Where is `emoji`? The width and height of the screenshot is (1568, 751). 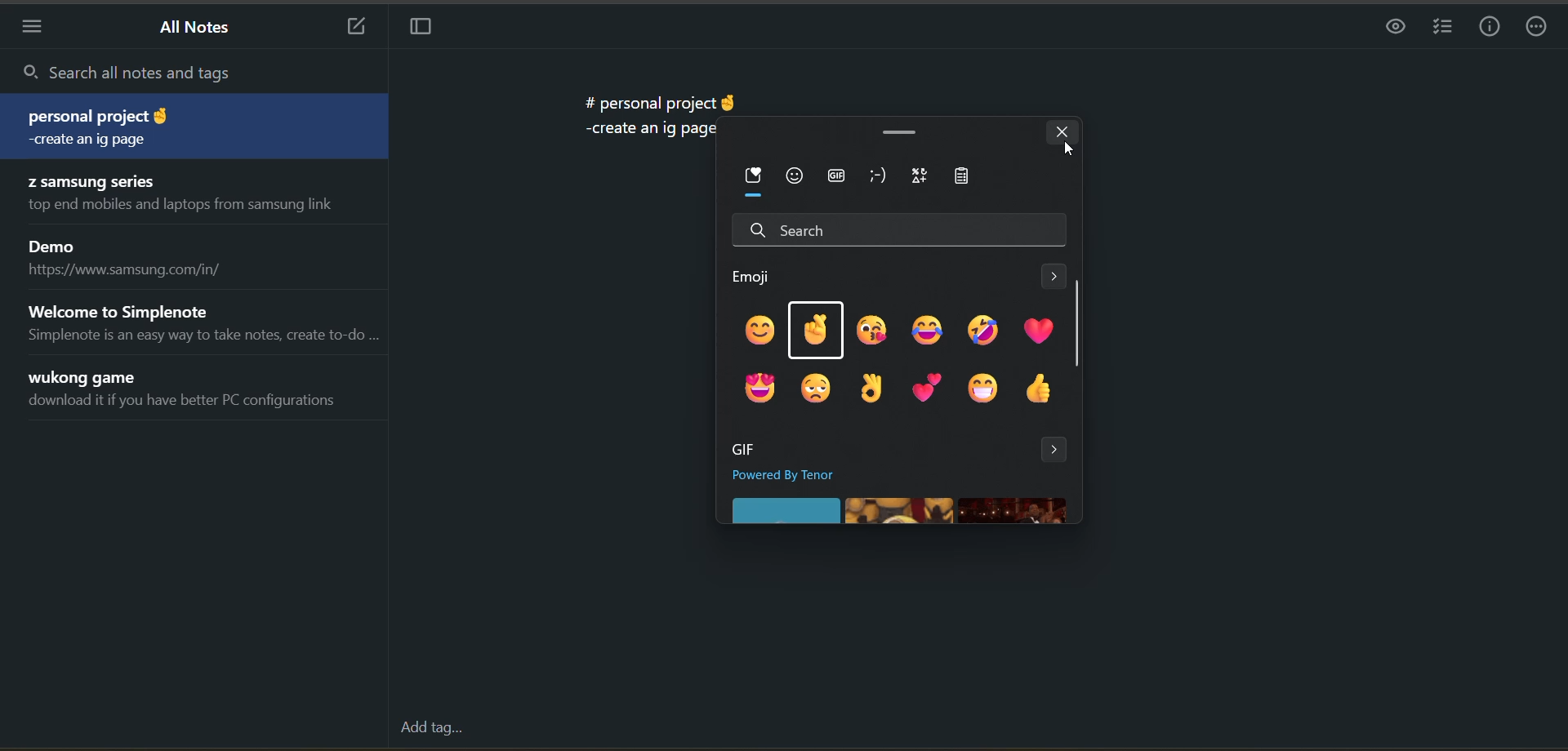
emoji is located at coordinates (754, 278).